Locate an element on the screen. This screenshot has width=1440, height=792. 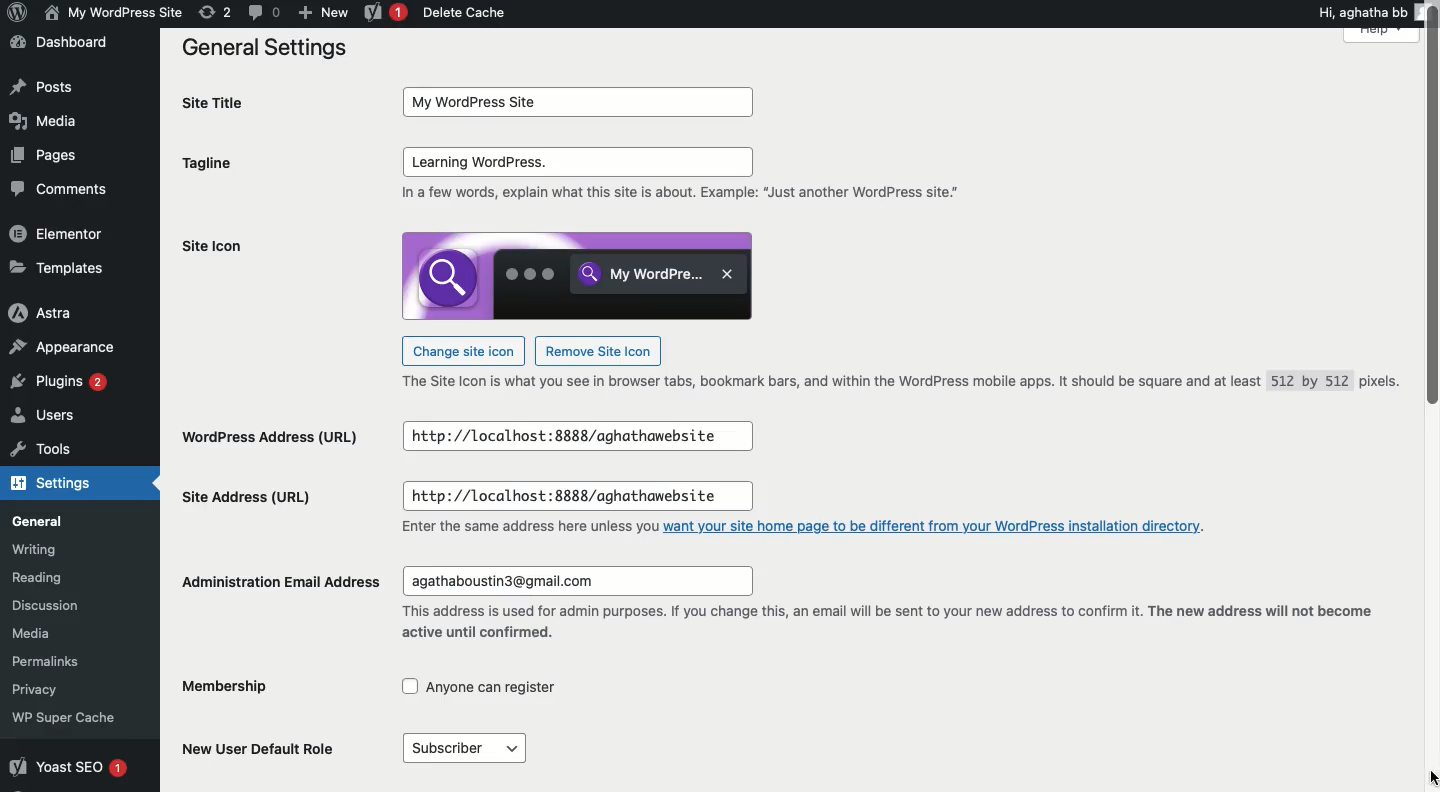
Subscriber  is located at coordinates (468, 748).